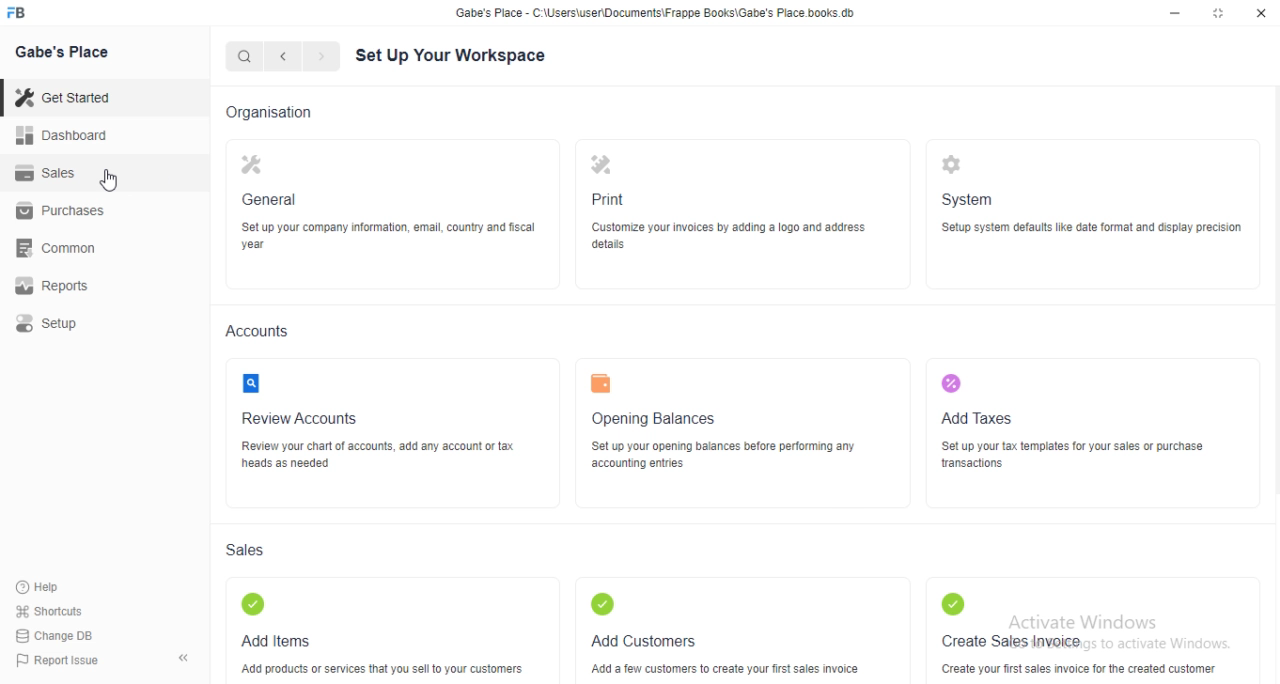  I want to click on search, so click(244, 56).